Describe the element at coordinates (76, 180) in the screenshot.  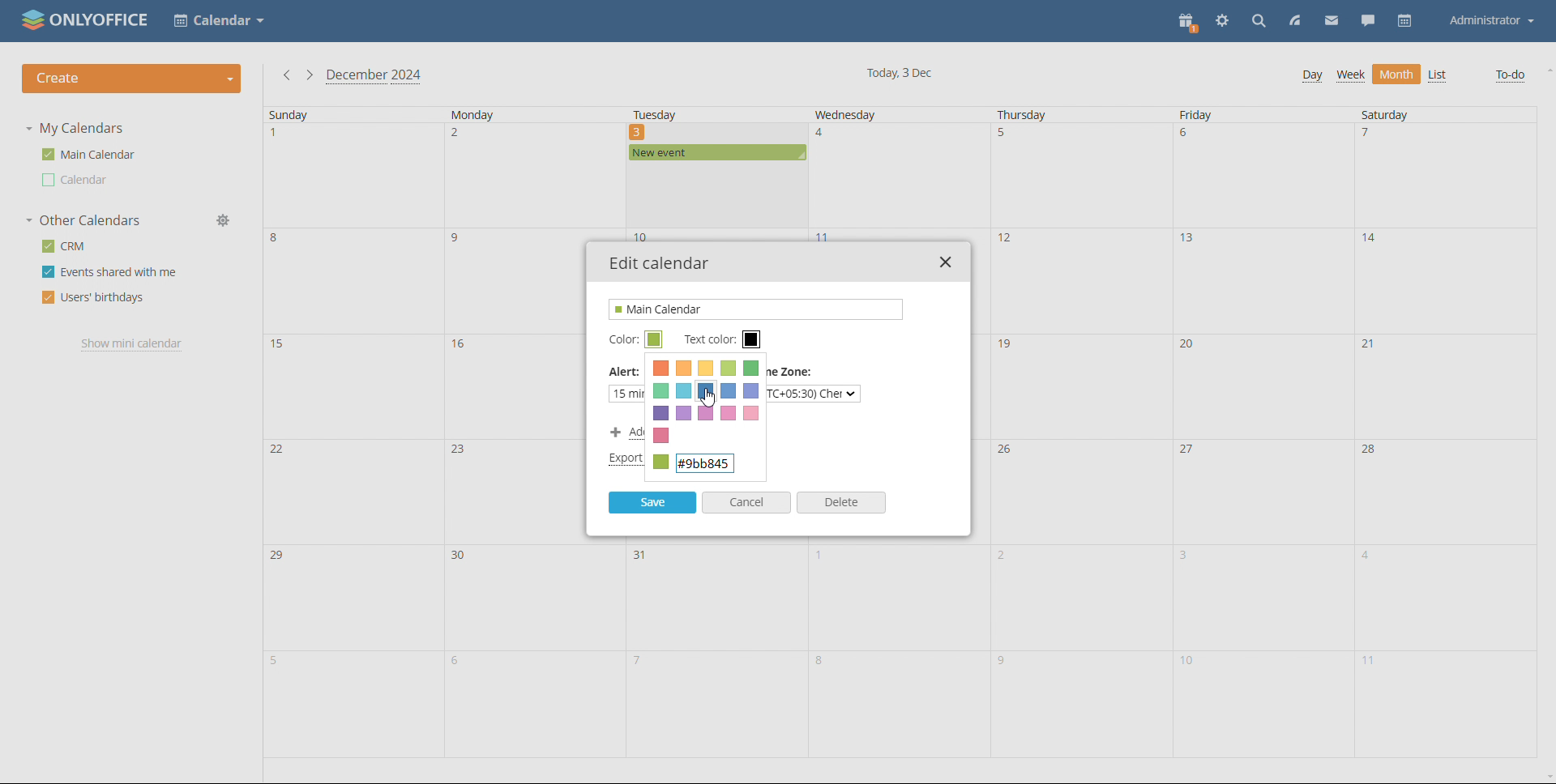
I see `other calendar` at that location.